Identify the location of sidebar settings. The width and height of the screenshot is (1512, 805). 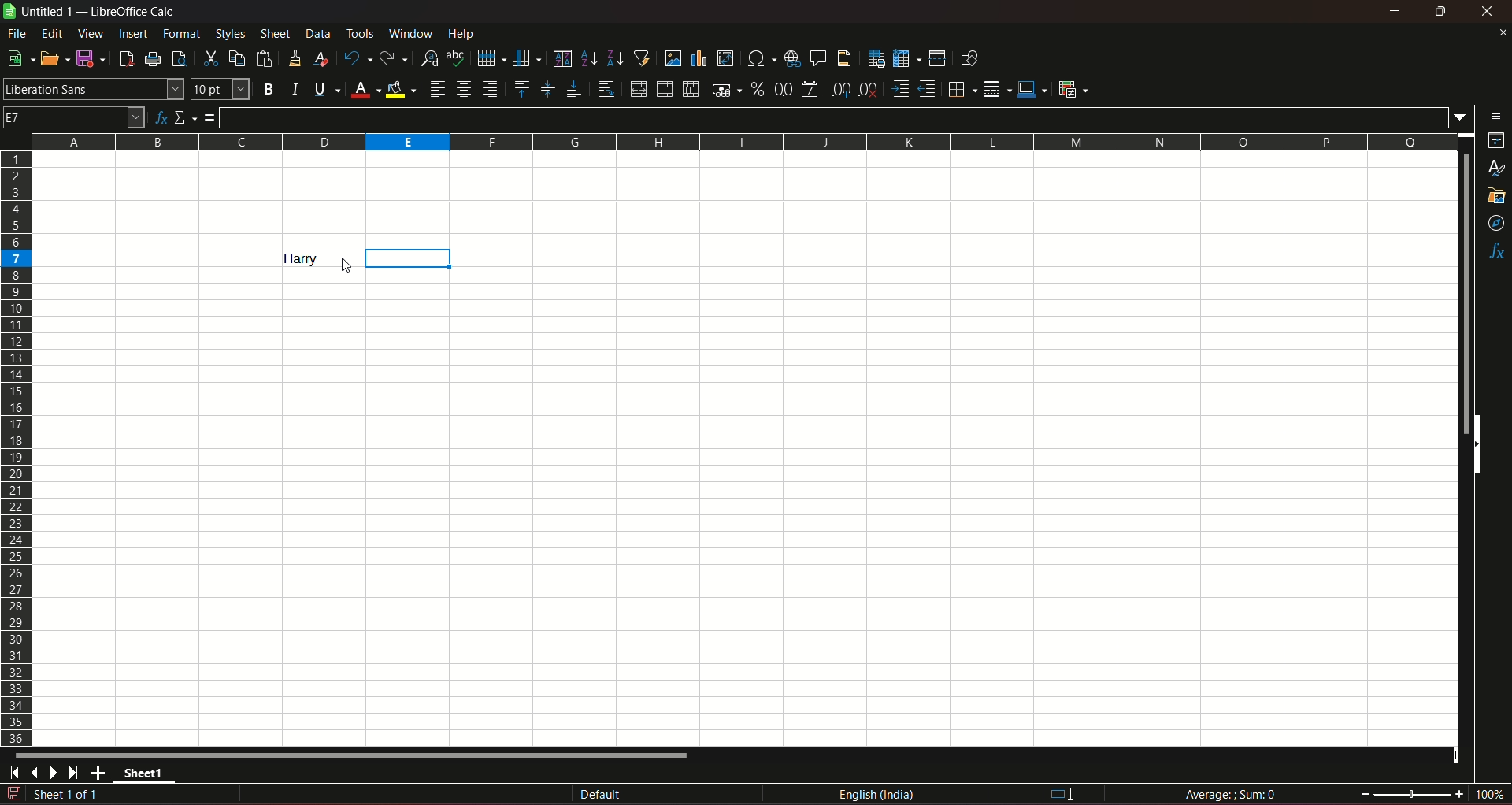
(1497, 115).